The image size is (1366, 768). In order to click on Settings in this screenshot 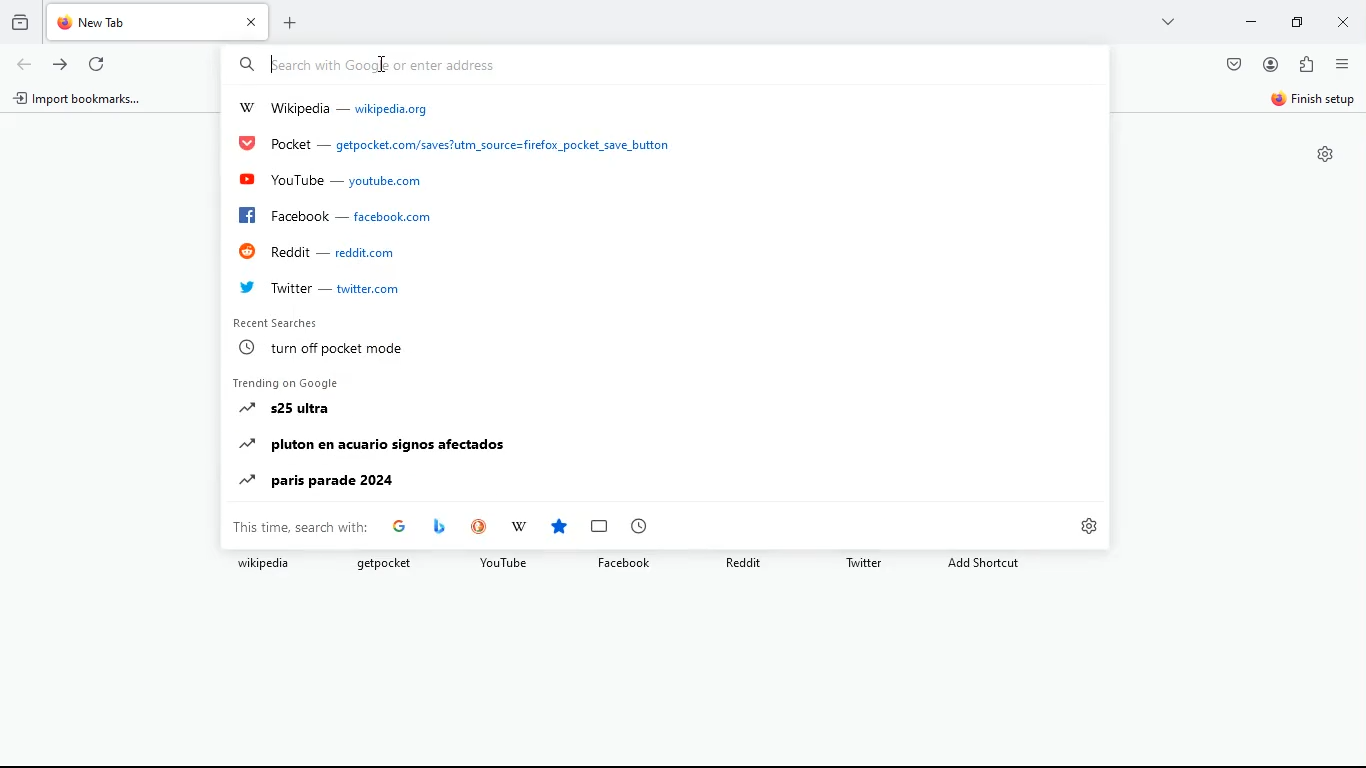, I will do `click(1326, 154)`.